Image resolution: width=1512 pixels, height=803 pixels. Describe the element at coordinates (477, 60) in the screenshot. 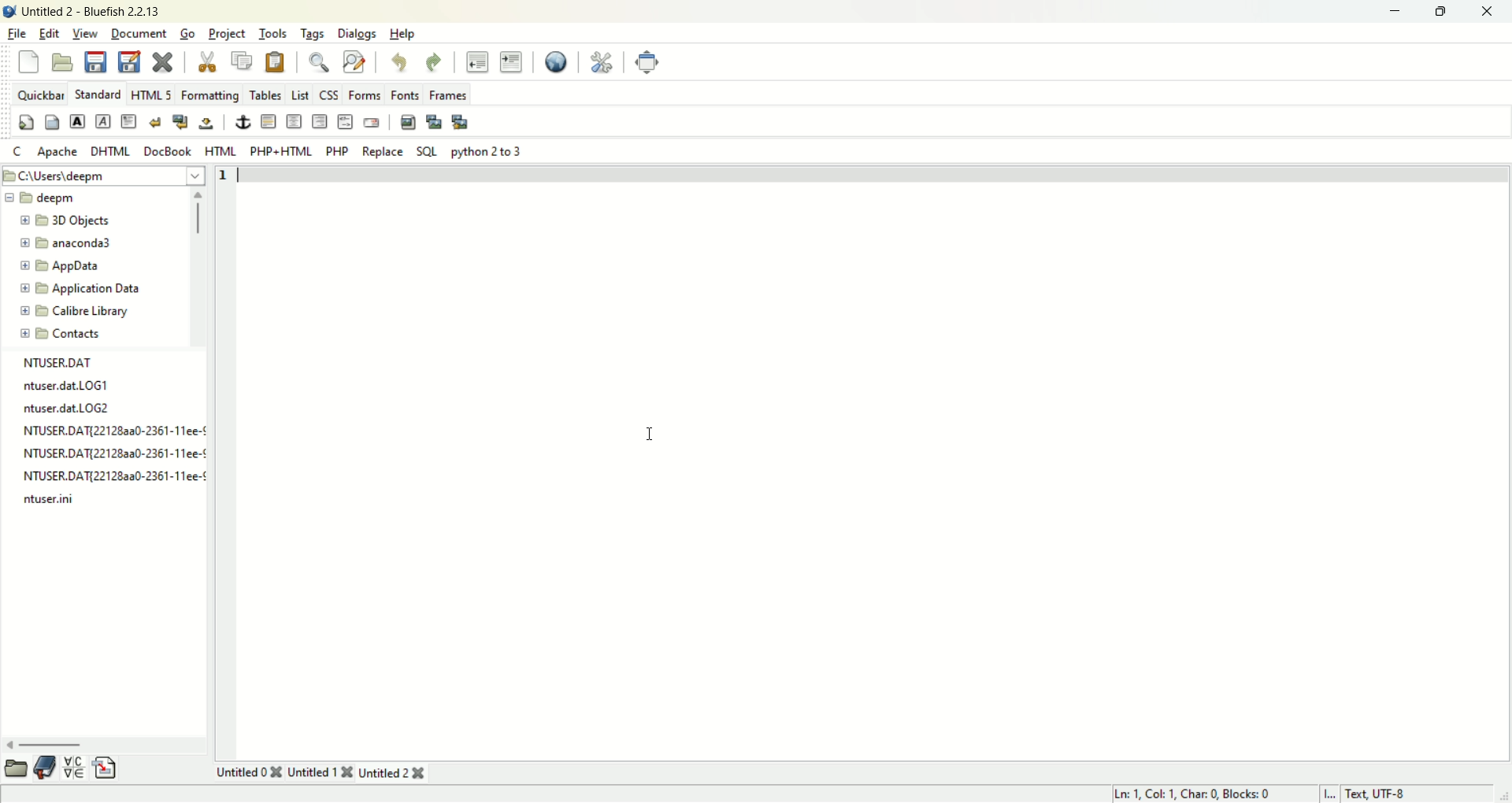

I see `unindent` at that location.